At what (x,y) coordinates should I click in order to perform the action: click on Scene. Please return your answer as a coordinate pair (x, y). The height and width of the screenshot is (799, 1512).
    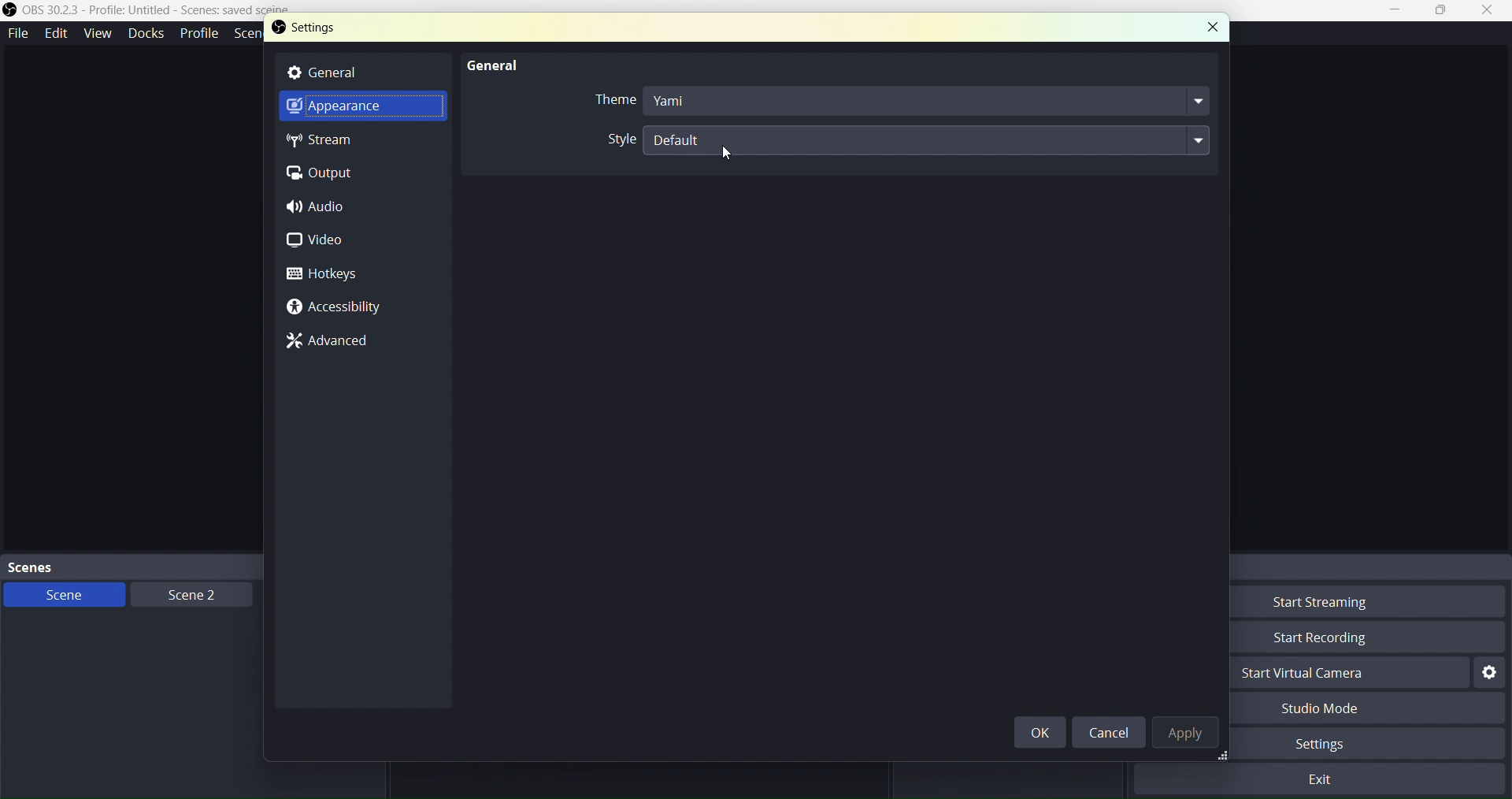
    Looking at the image, I should click on (62, 595).